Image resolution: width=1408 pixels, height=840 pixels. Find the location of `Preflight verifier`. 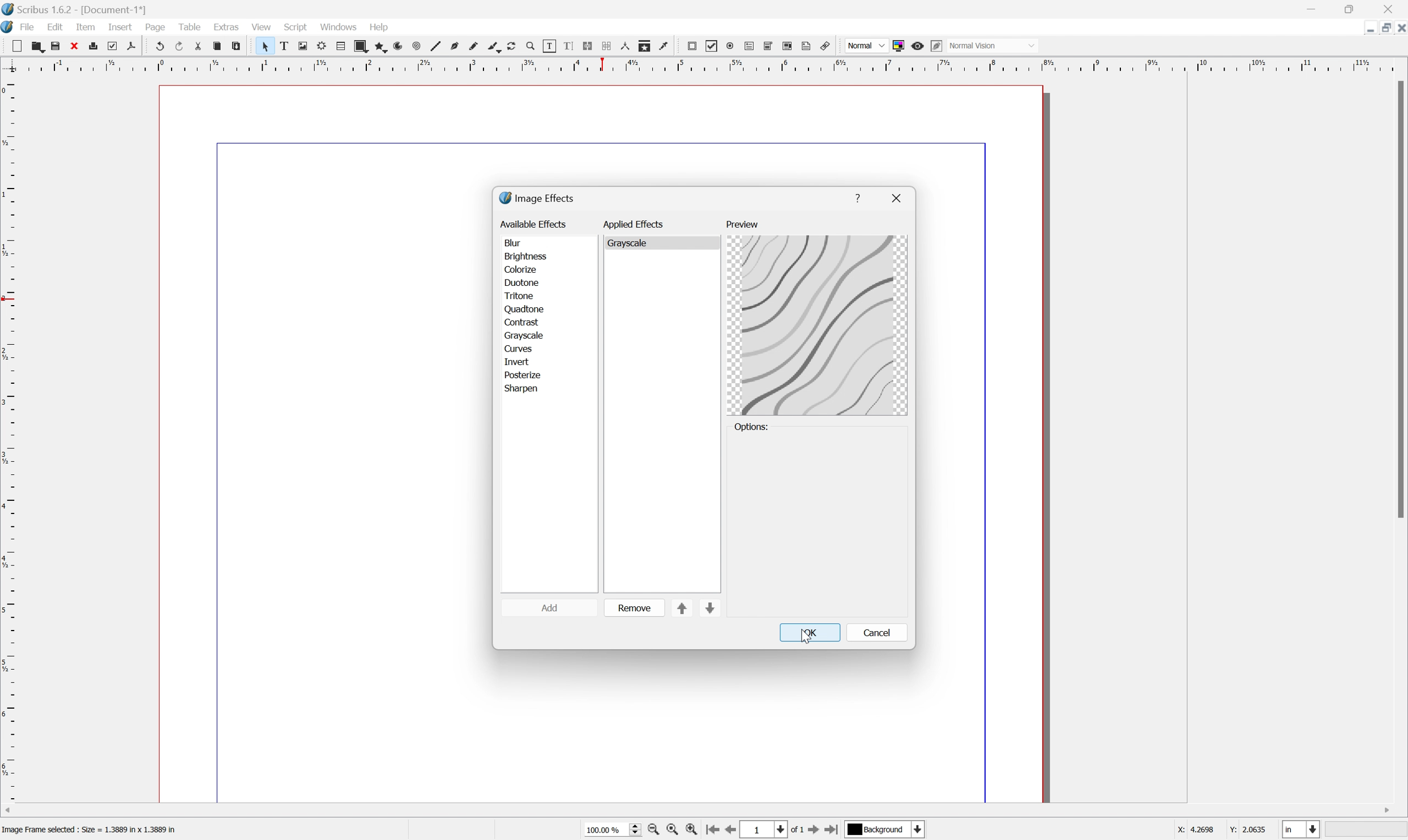

Preflight verifier is located at coordinates (115, 47).